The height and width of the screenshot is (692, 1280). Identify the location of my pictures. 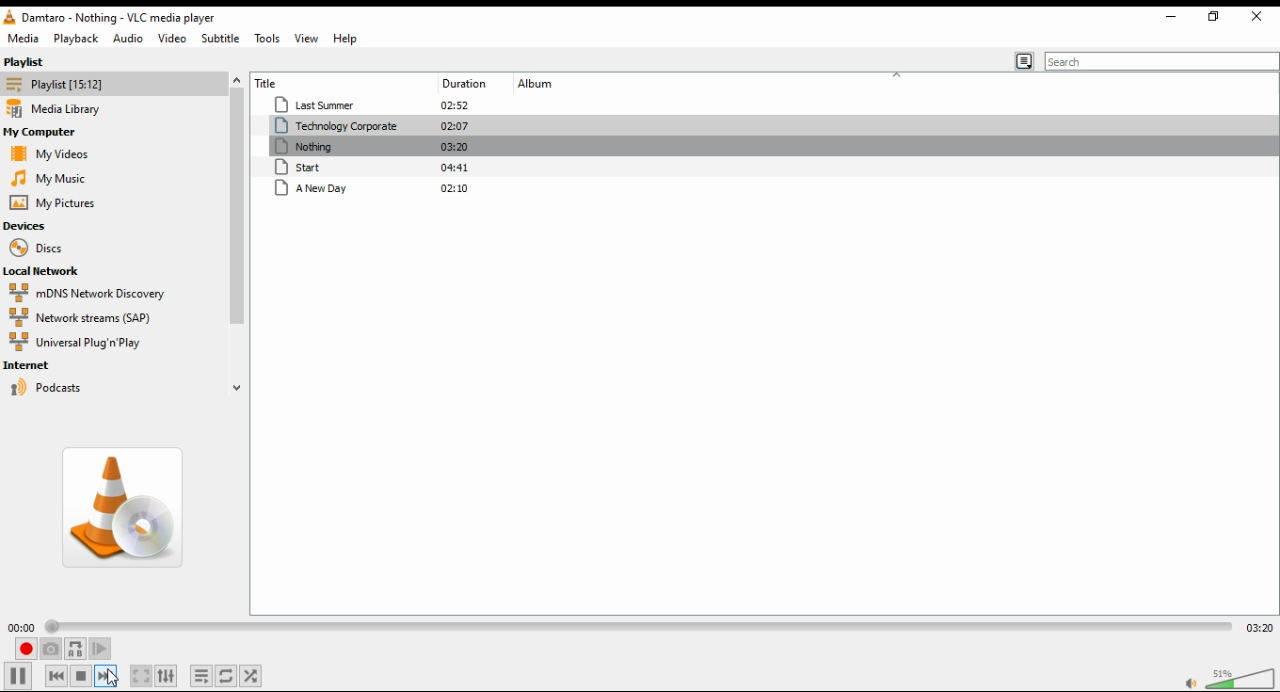
(48, 204).